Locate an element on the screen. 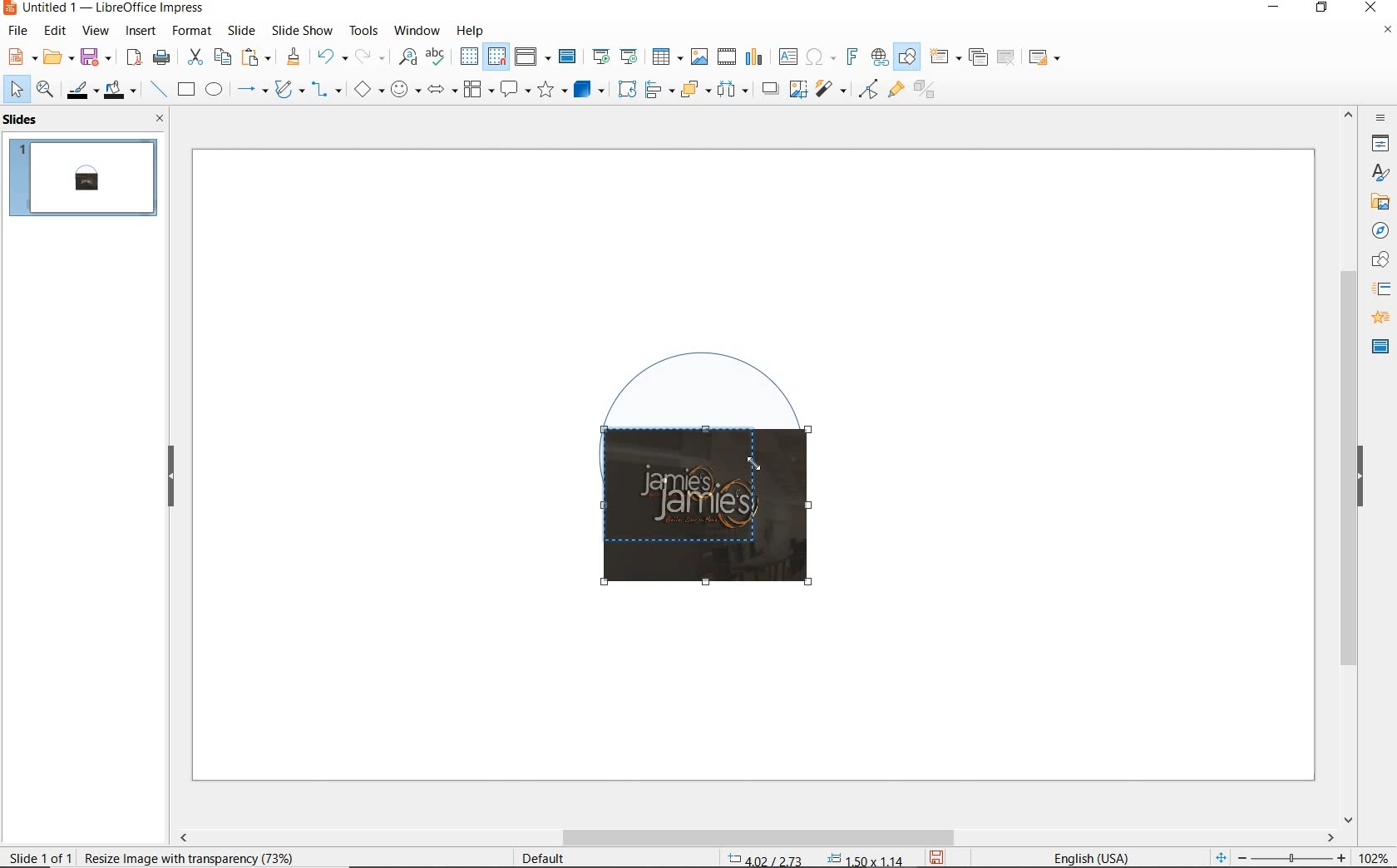  save is located at coordinates (96, 56).